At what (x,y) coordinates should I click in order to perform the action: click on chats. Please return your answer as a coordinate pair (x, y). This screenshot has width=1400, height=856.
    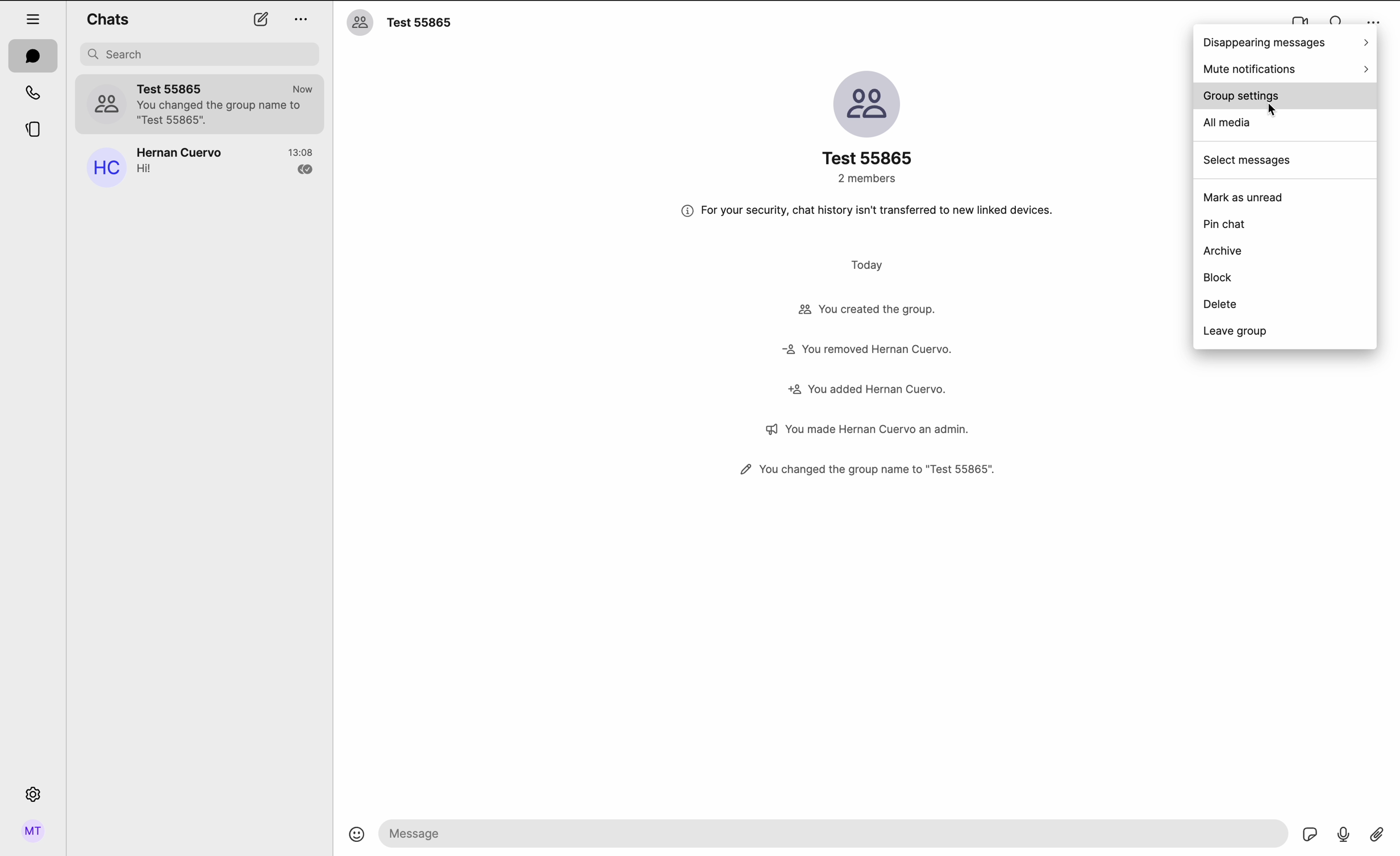
    Looking at the image, I should click on (107, 18).